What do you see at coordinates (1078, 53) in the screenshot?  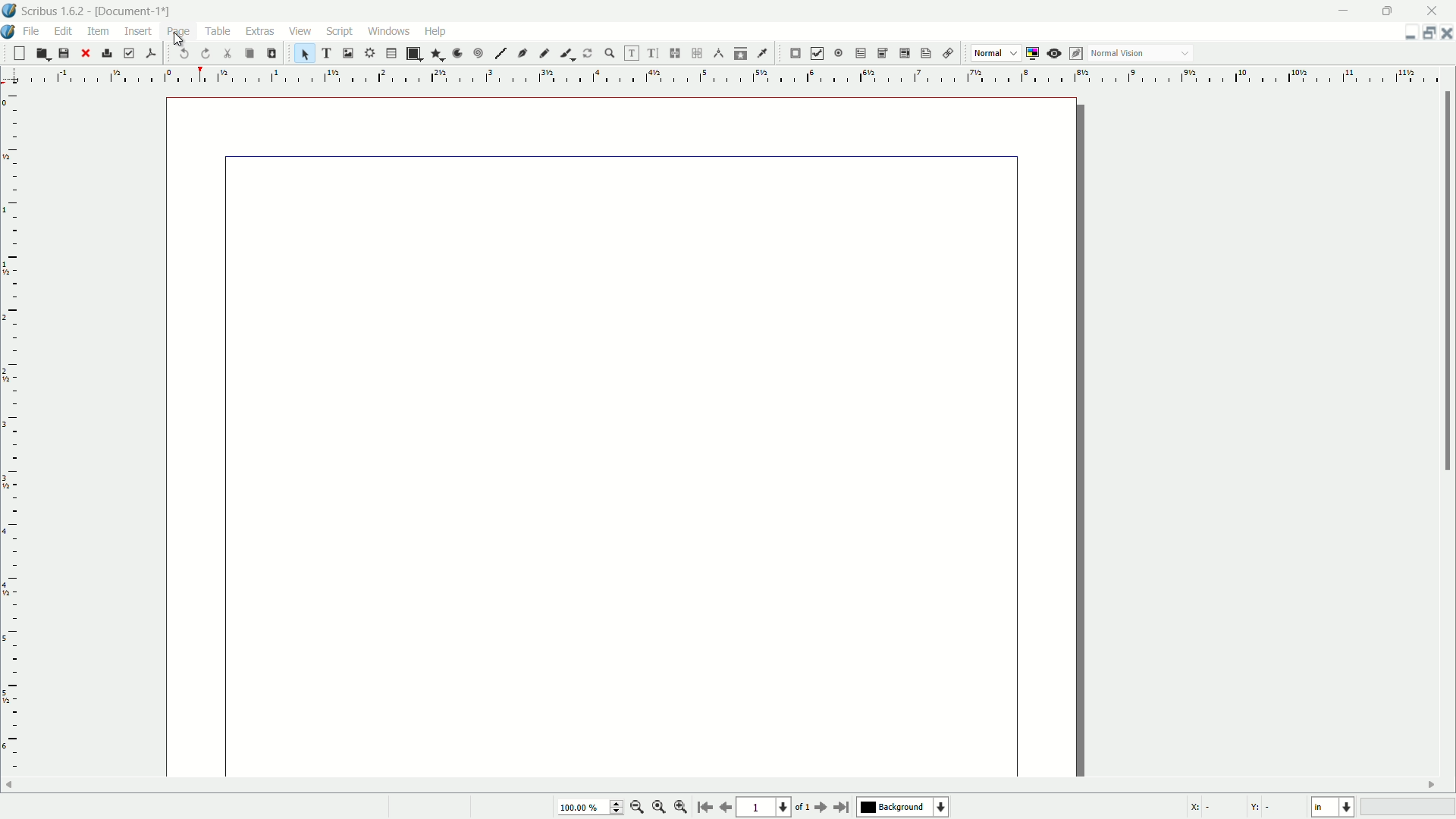 I see `edit in preview mode` at bounding box center [1078, 53].